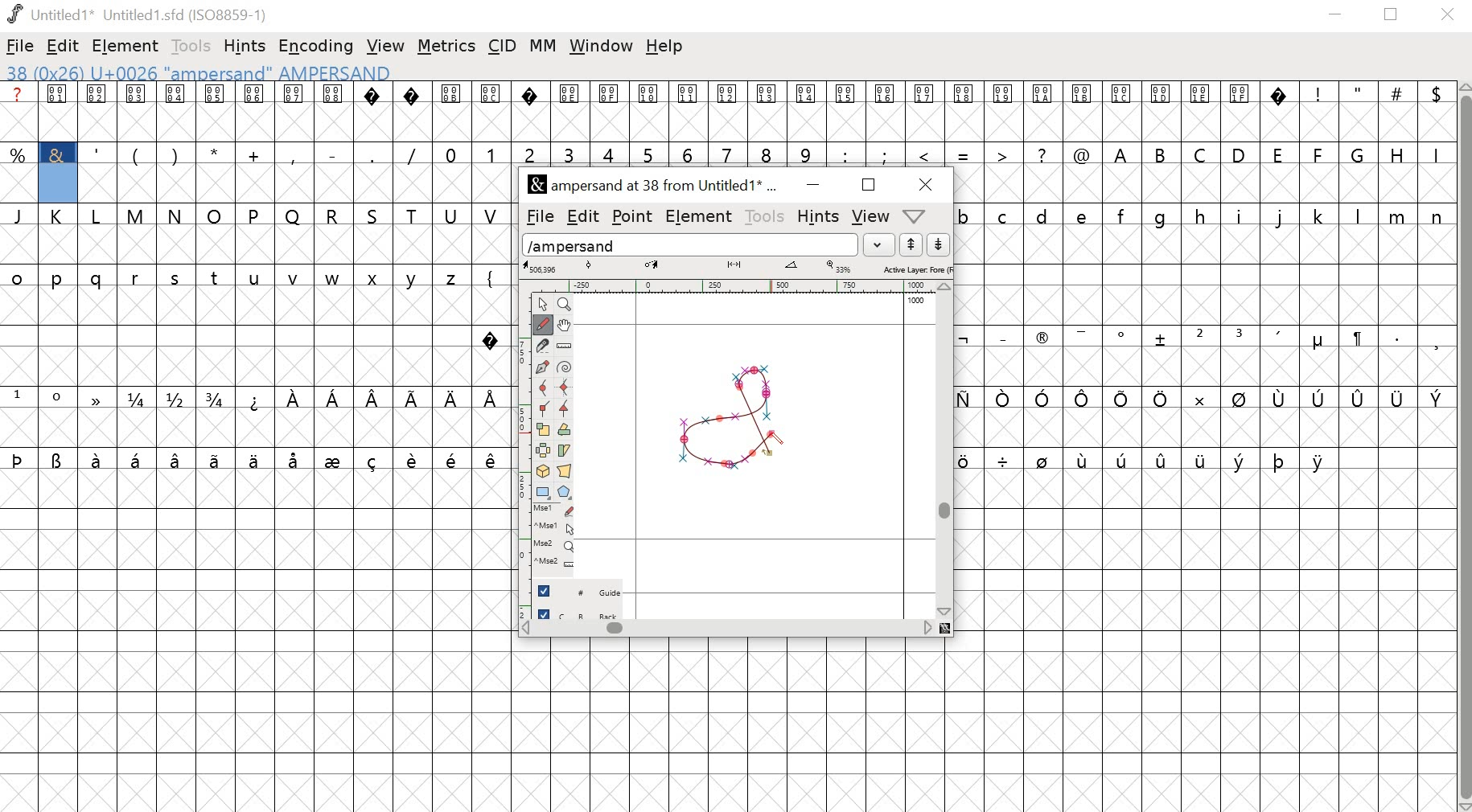  What do you see at coordinates (964, 154) in the screenshot?
I see `=` at bounding box center [964, 154].